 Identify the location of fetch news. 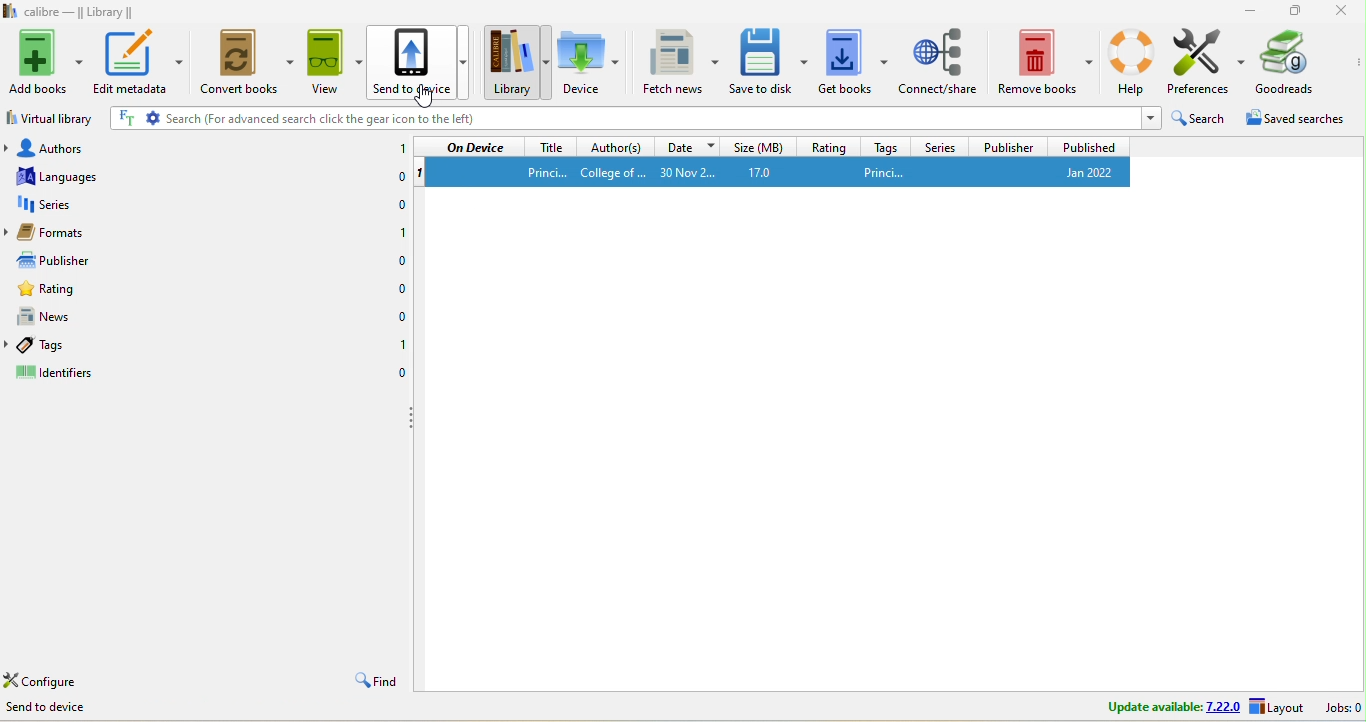
(680, 65).